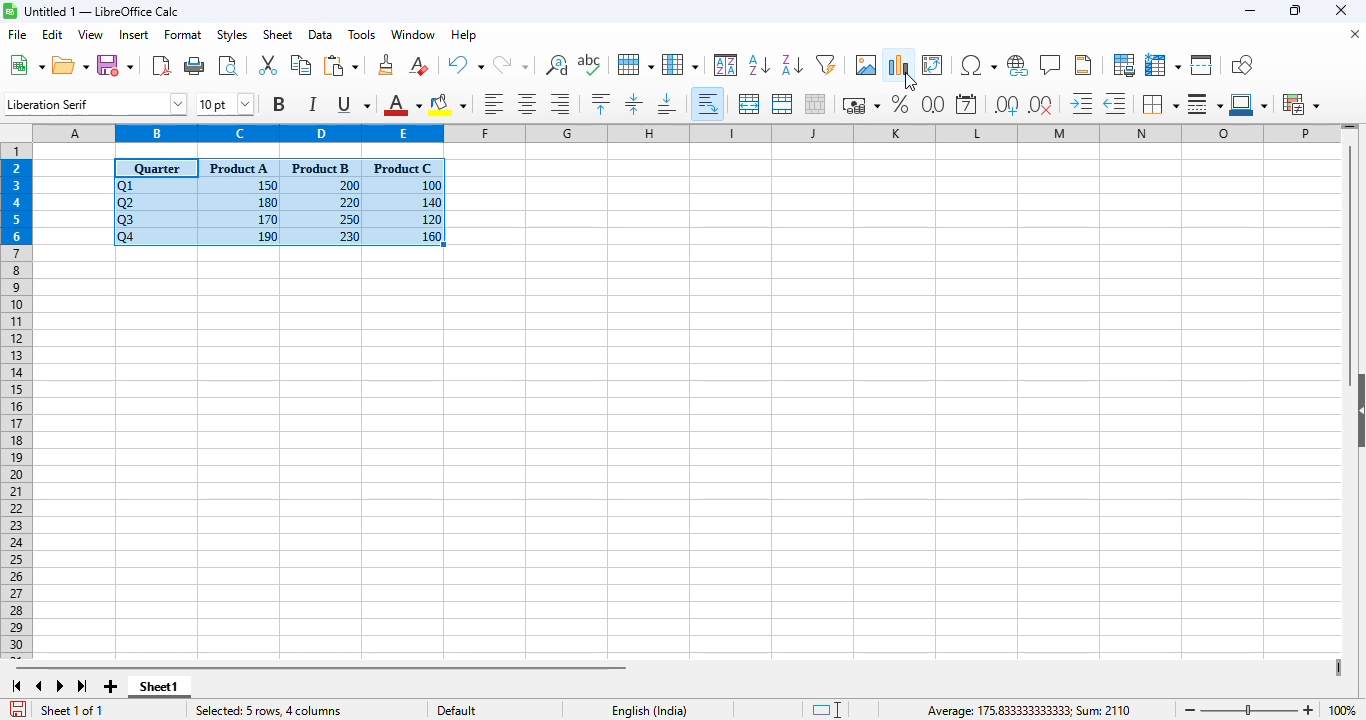  I want to click on rows, so click(16, 401).